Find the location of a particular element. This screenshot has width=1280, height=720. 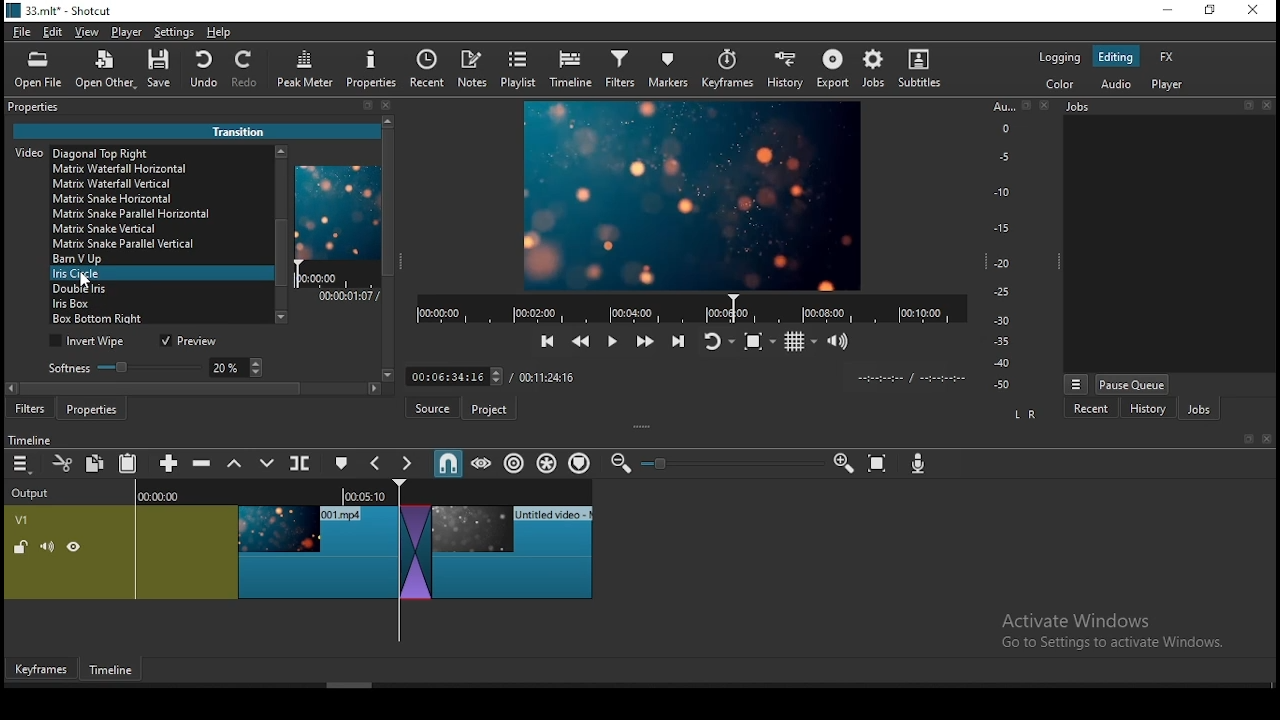

icon and file name is located at coordinates (62, 13).